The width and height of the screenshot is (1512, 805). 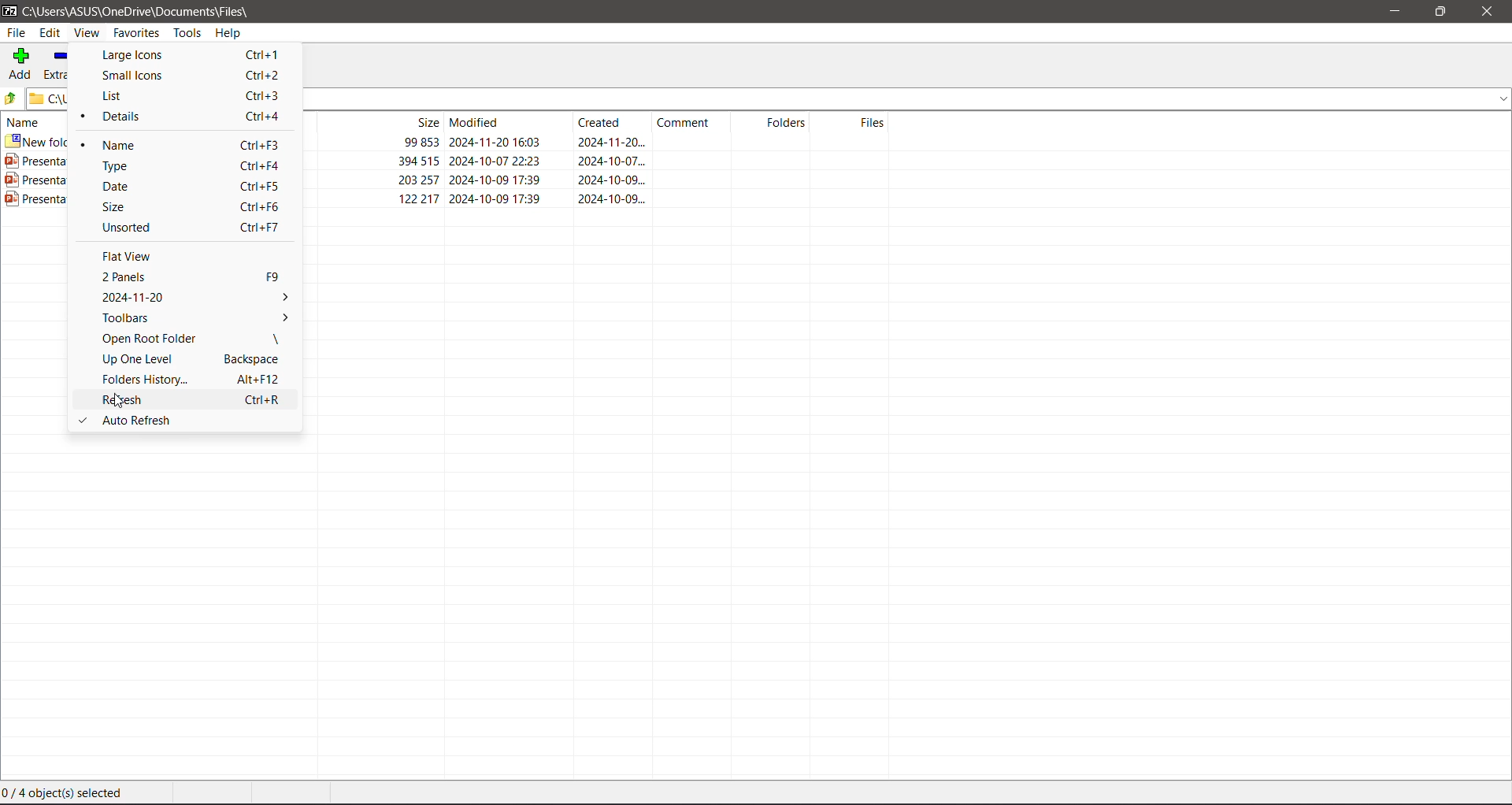 I want to click on Toolbars, so click(x=194, y=316).